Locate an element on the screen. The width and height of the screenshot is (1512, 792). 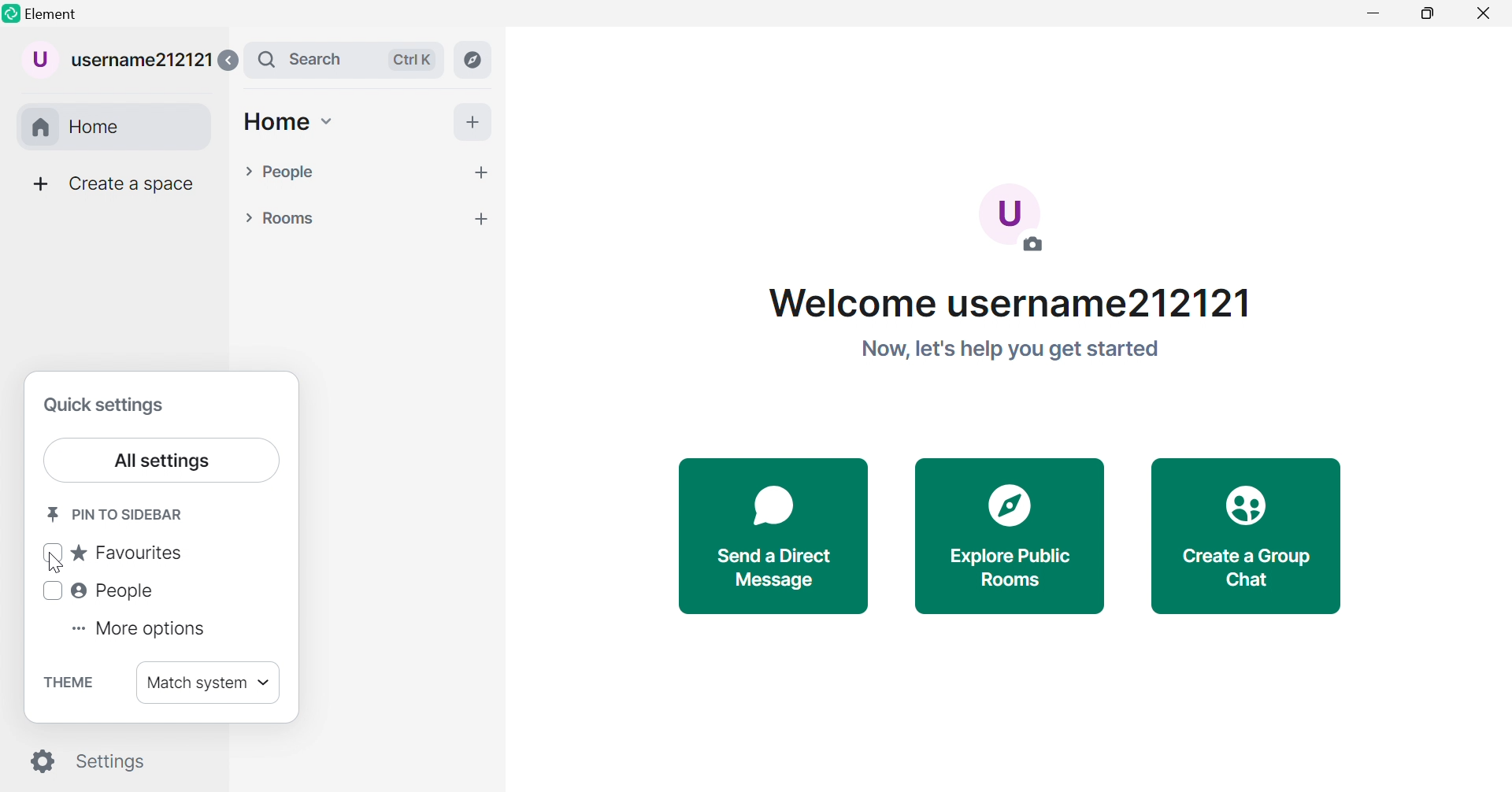
more is located at coordinates (480, 218).